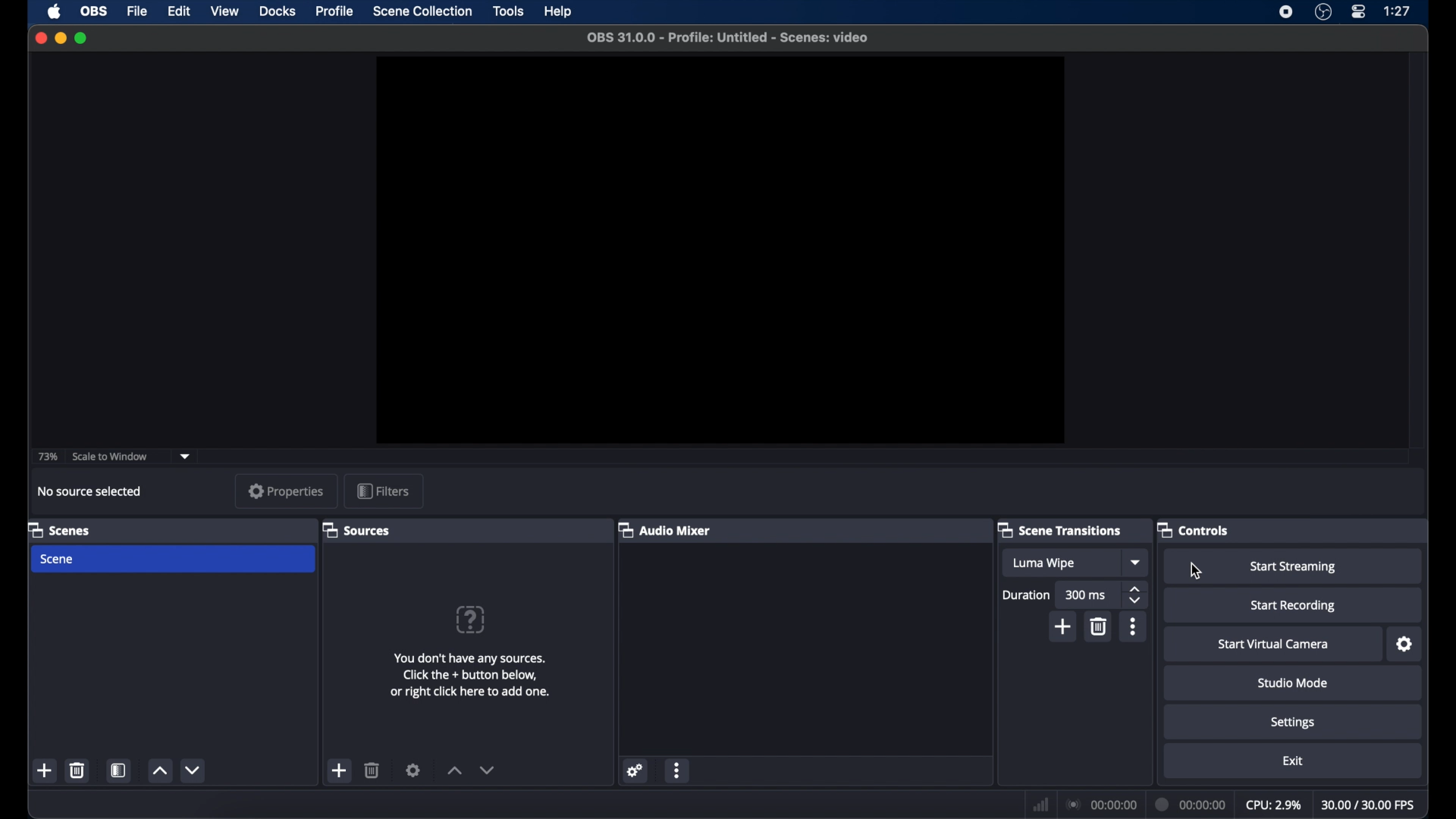 Image resolution: width=1456 pixels, height=819 pixels. Describe the element at coordinates (1137, 562) in the screenshot. I see `dropdown` at that location.